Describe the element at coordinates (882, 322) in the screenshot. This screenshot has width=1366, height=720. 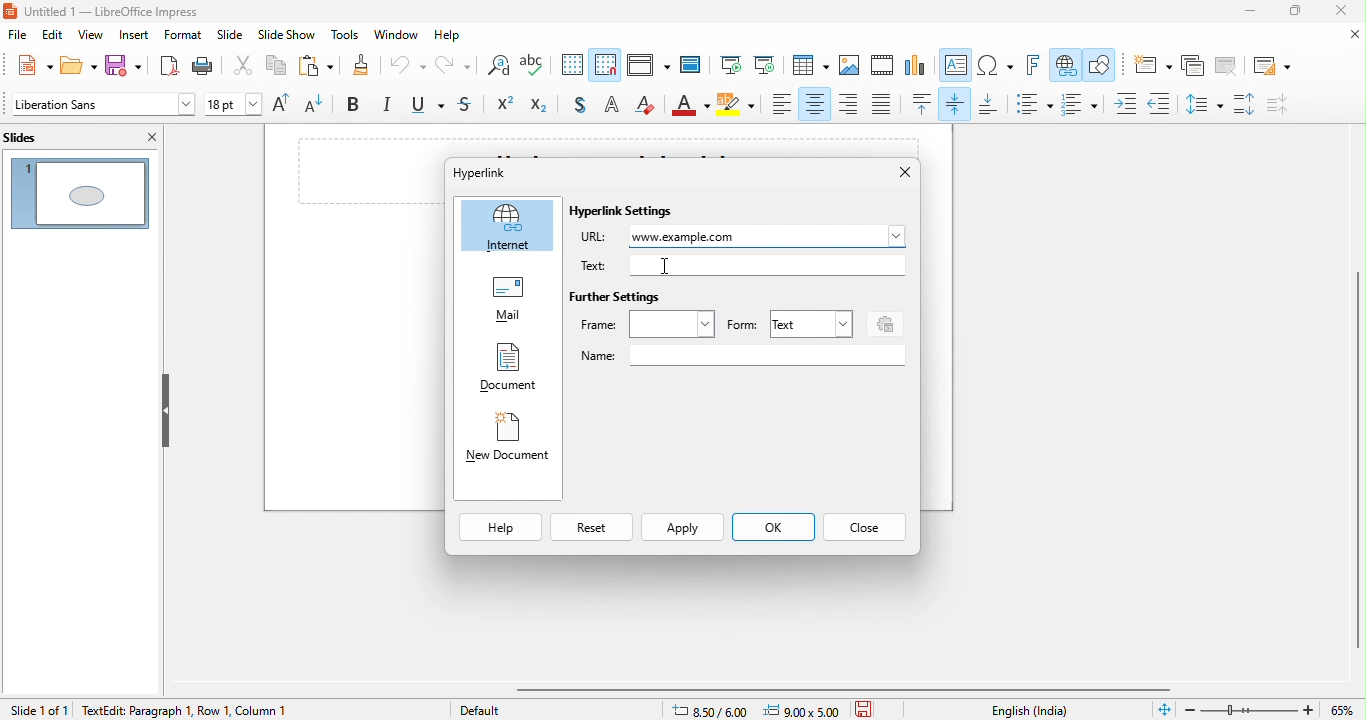
I see `events` at that location.